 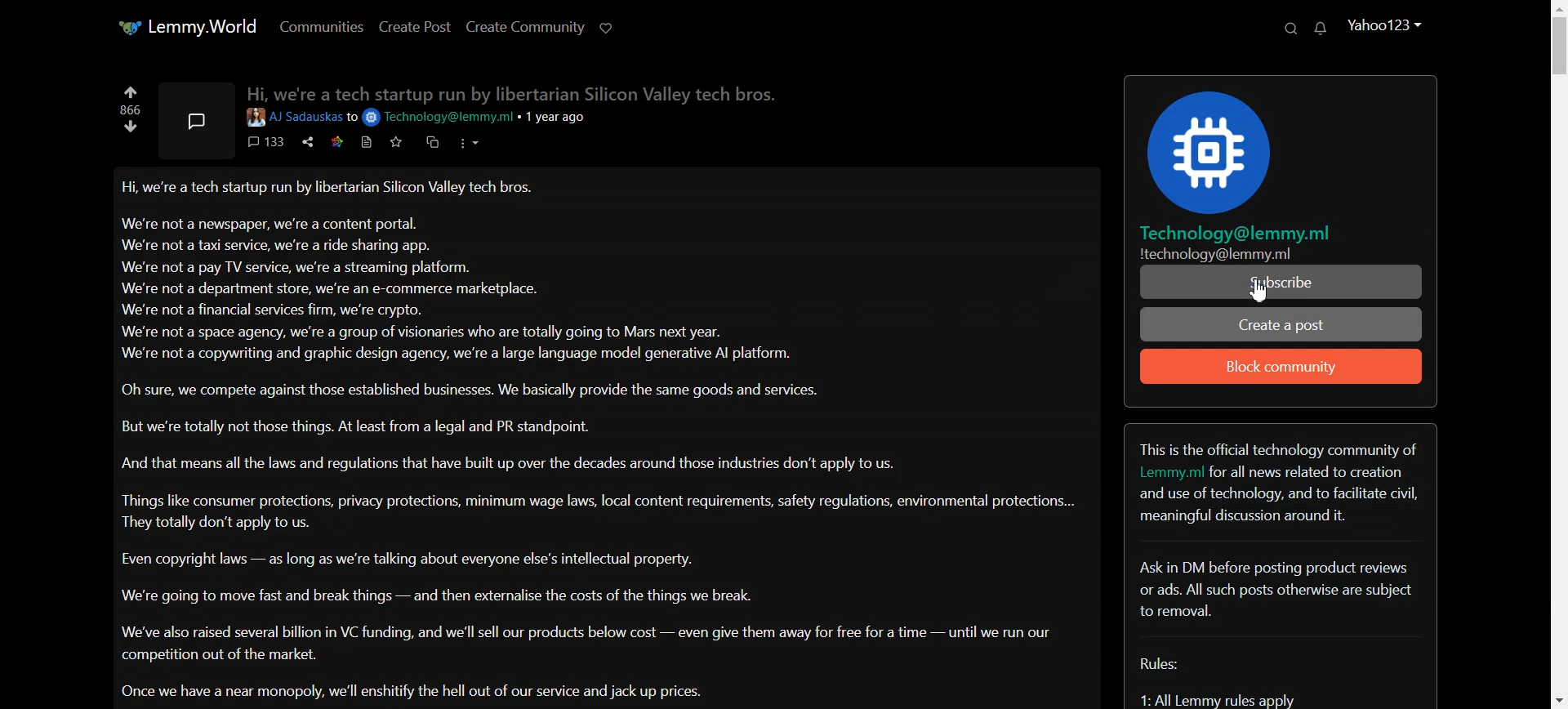 I want to click on !technology@lemmy.ml, so click(x=1215, y=253).